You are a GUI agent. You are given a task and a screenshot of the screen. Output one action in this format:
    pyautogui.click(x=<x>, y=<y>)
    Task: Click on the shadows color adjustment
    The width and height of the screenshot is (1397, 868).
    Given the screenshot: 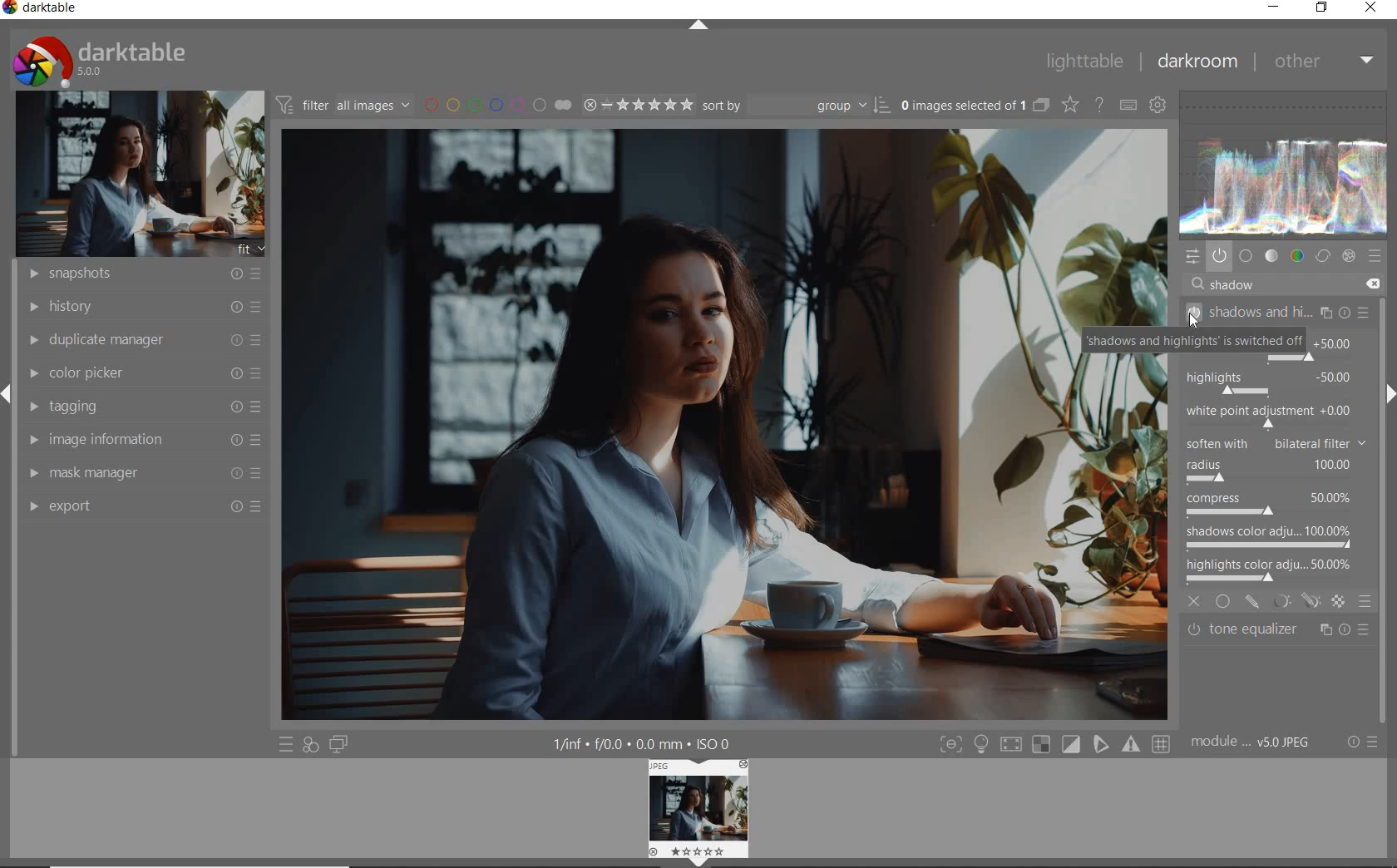 What is the action you would take?
    pyautogui.click(x=1269, y=535)
    